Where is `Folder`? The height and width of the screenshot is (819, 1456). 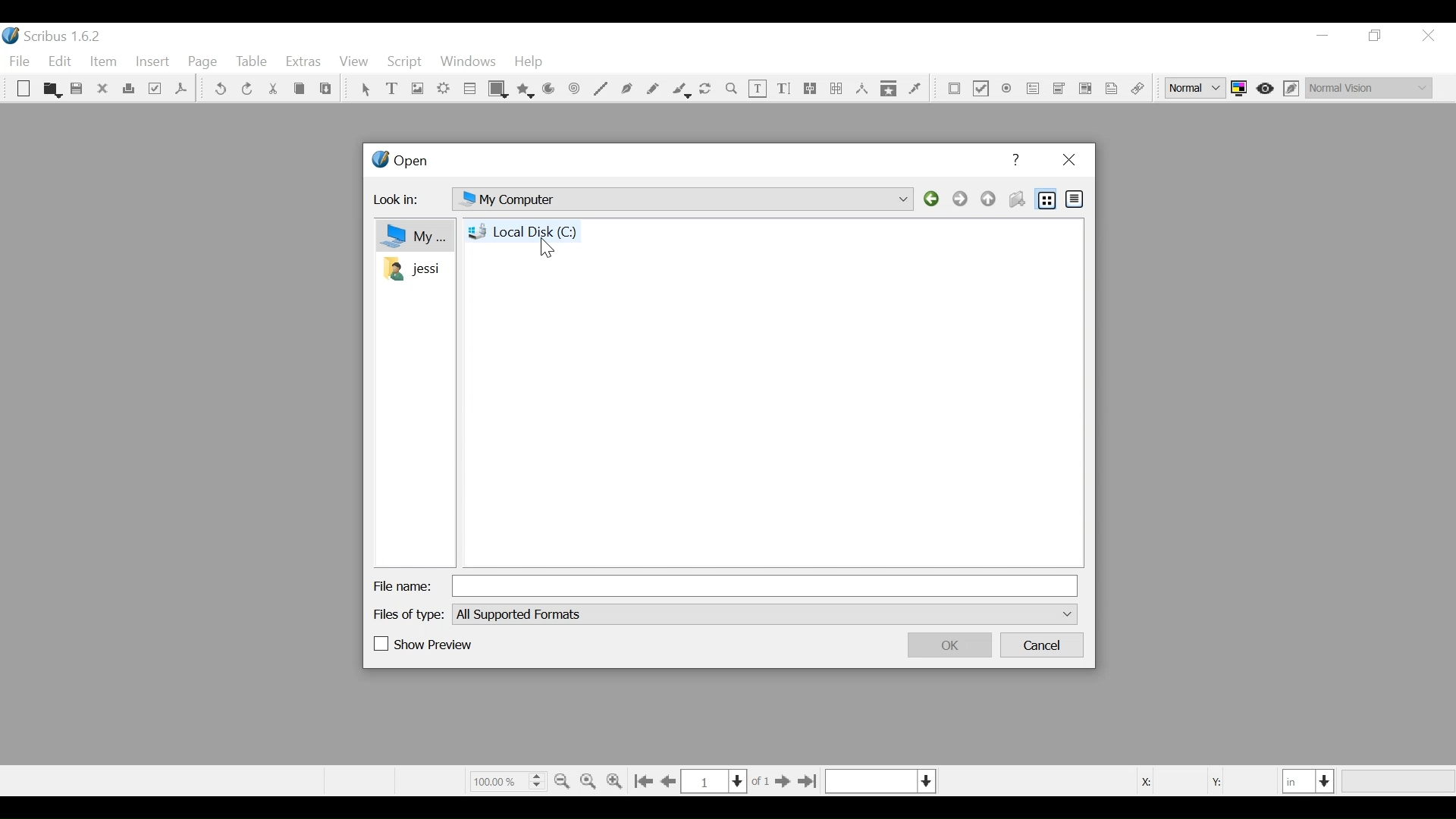
Folder is located at coordinates (411, 268).